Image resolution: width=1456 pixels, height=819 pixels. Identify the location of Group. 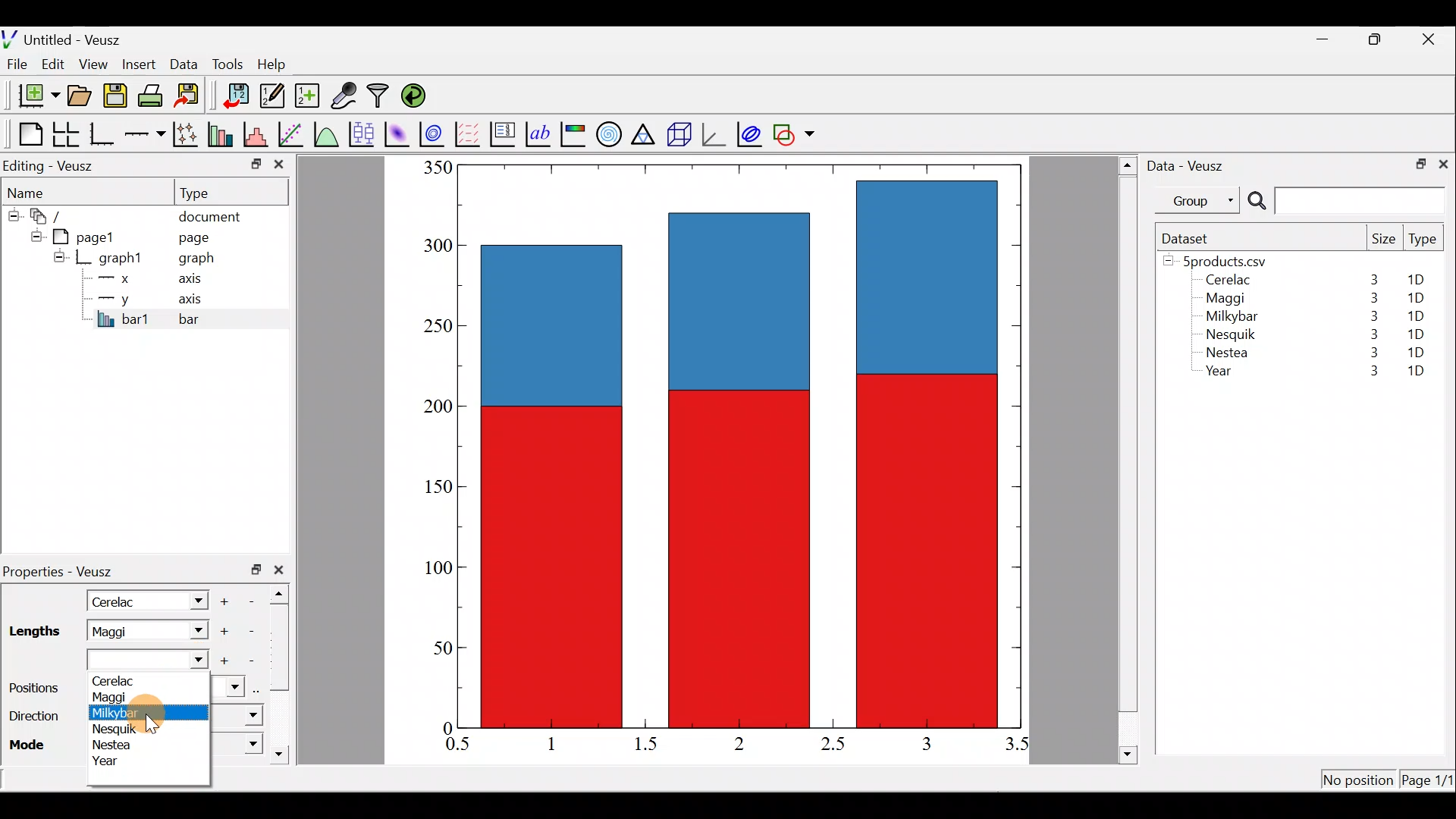
(1200, 199).